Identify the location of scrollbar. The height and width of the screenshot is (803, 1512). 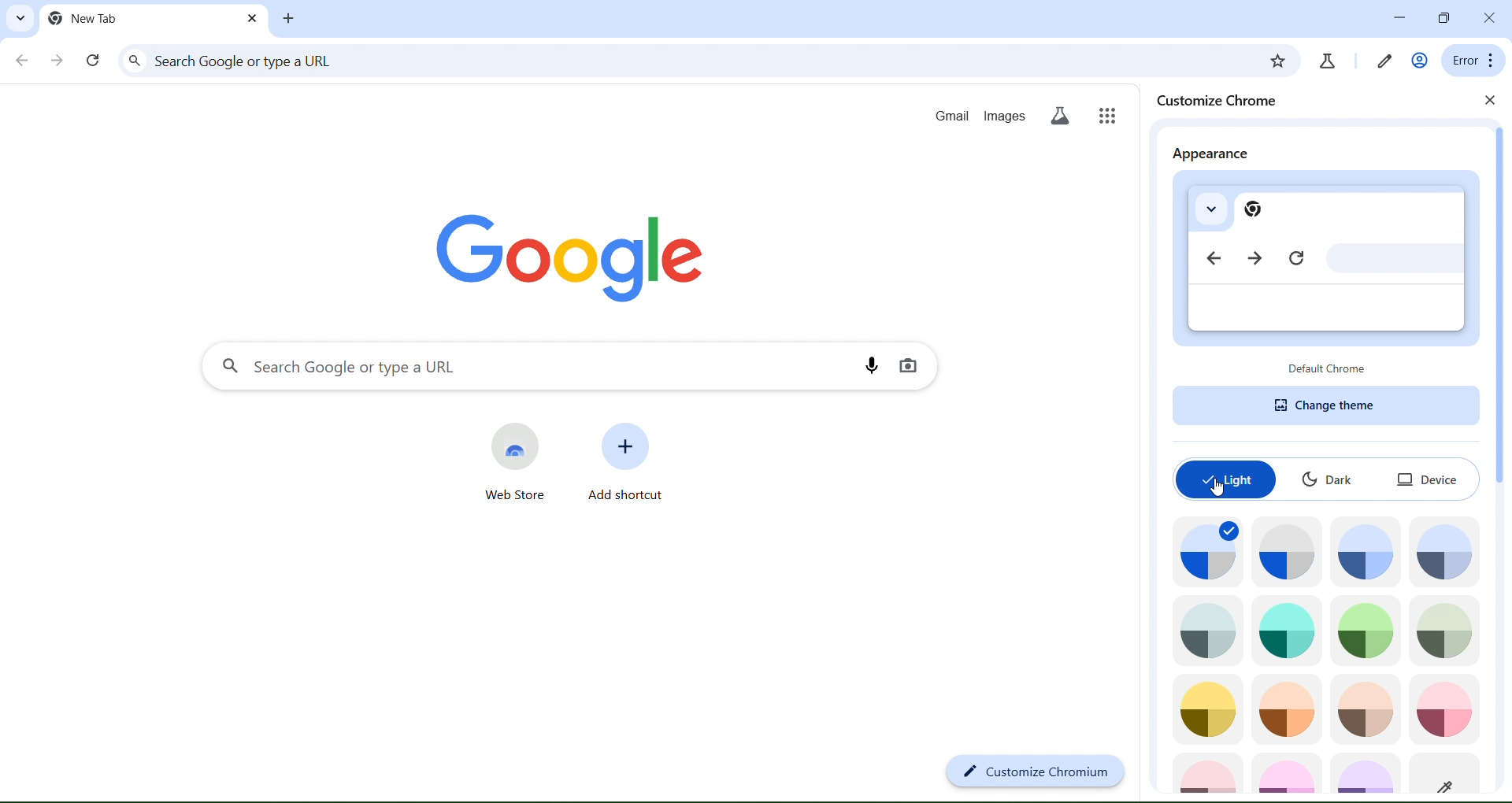
(1498, 309).